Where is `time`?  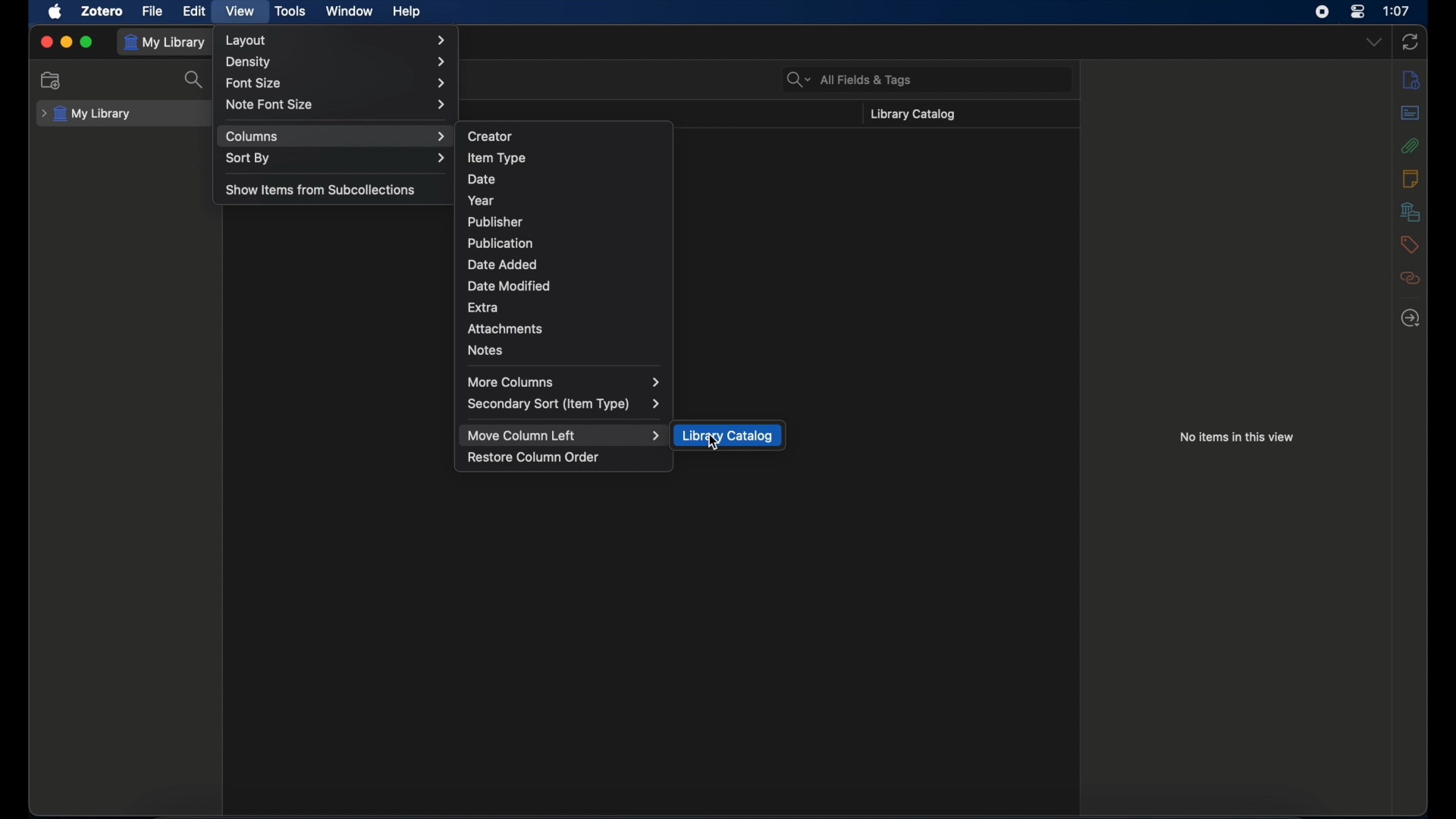 time is located at coordinates (1397, 11).